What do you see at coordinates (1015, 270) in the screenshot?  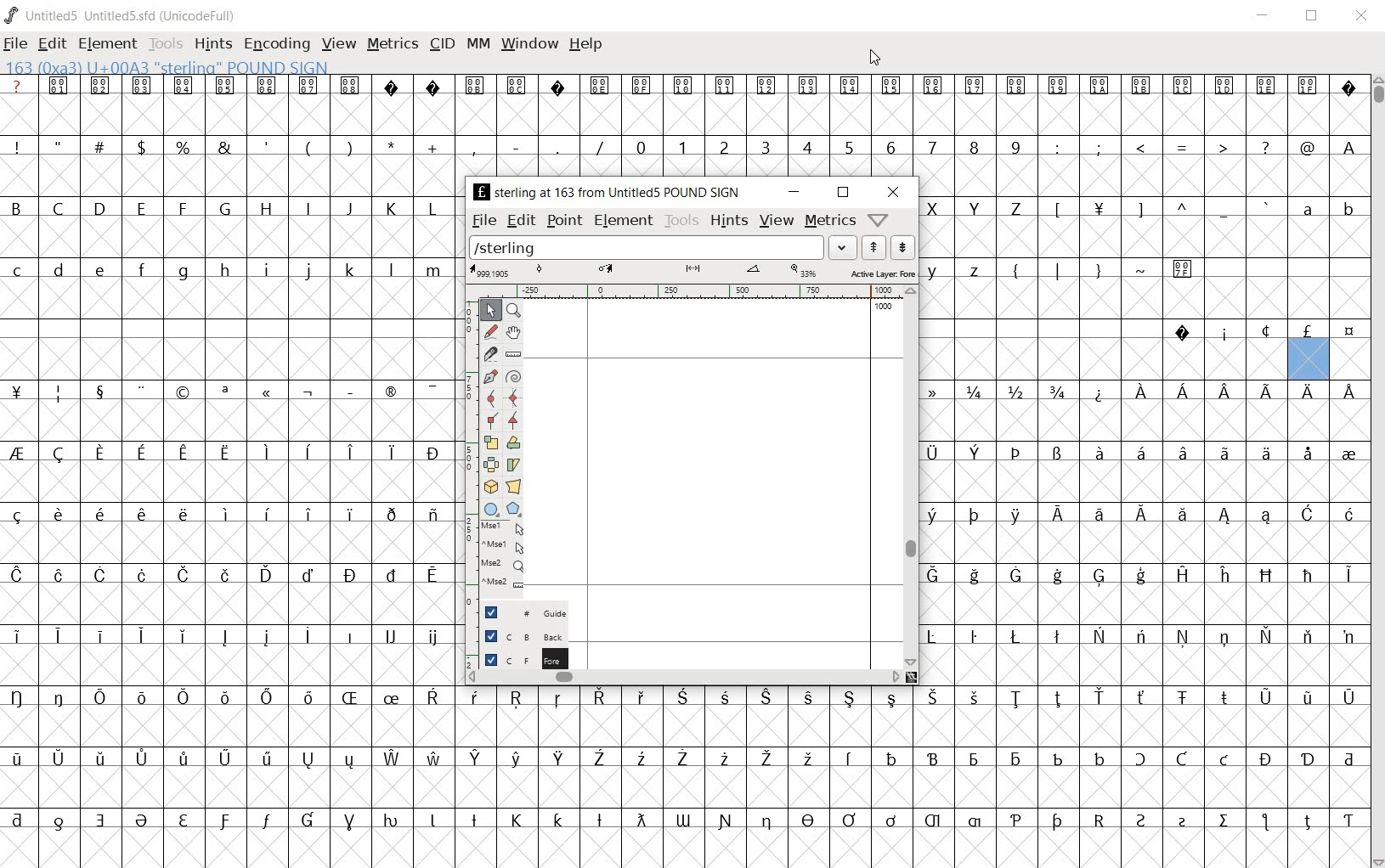 I see `{` at bounding box center [1015, 270].